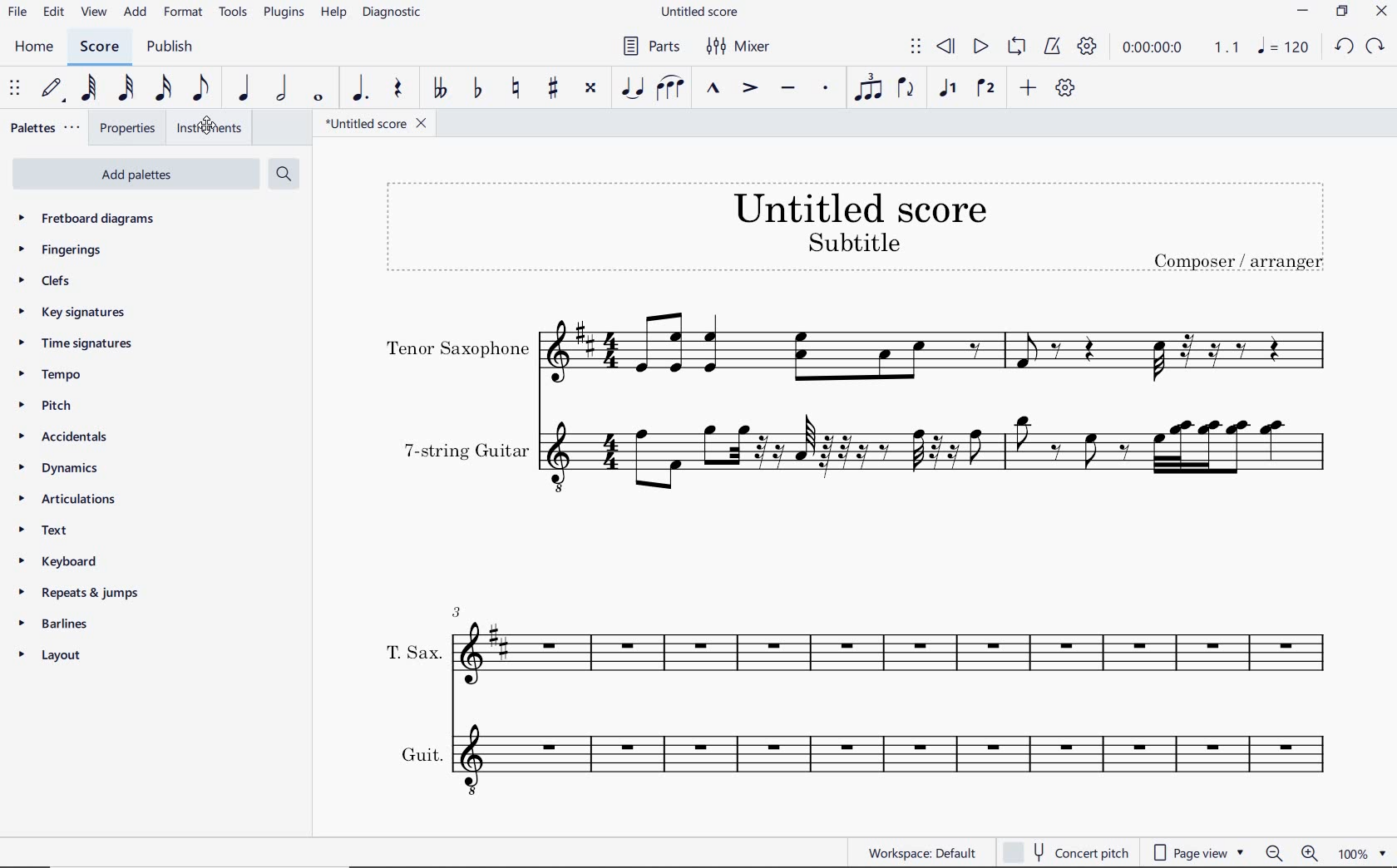 The image size is (1397, 868). I want to click on STACCATO, so click(825, 89).